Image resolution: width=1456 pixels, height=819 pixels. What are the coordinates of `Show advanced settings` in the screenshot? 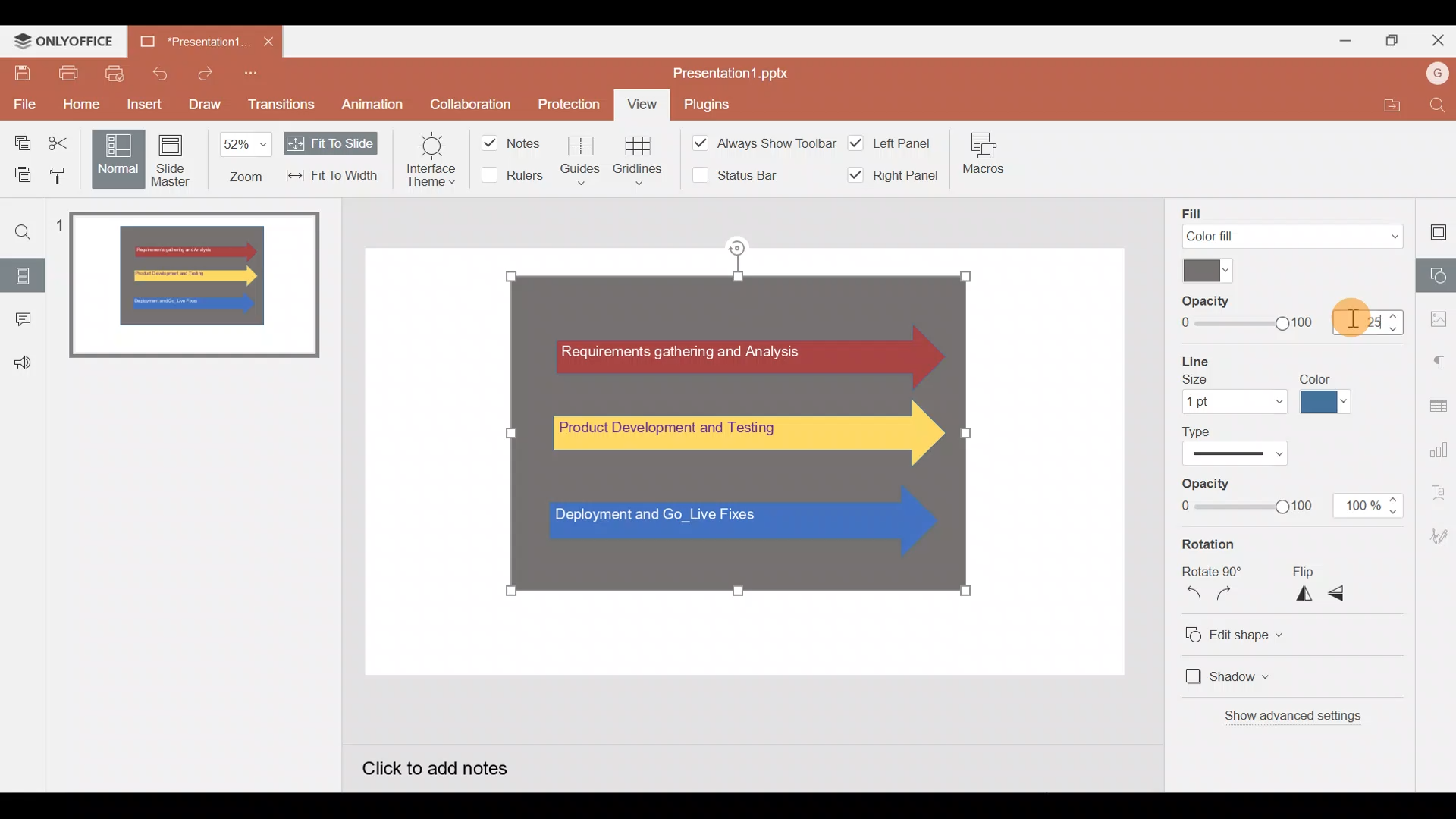 It's located at (1312, 717).